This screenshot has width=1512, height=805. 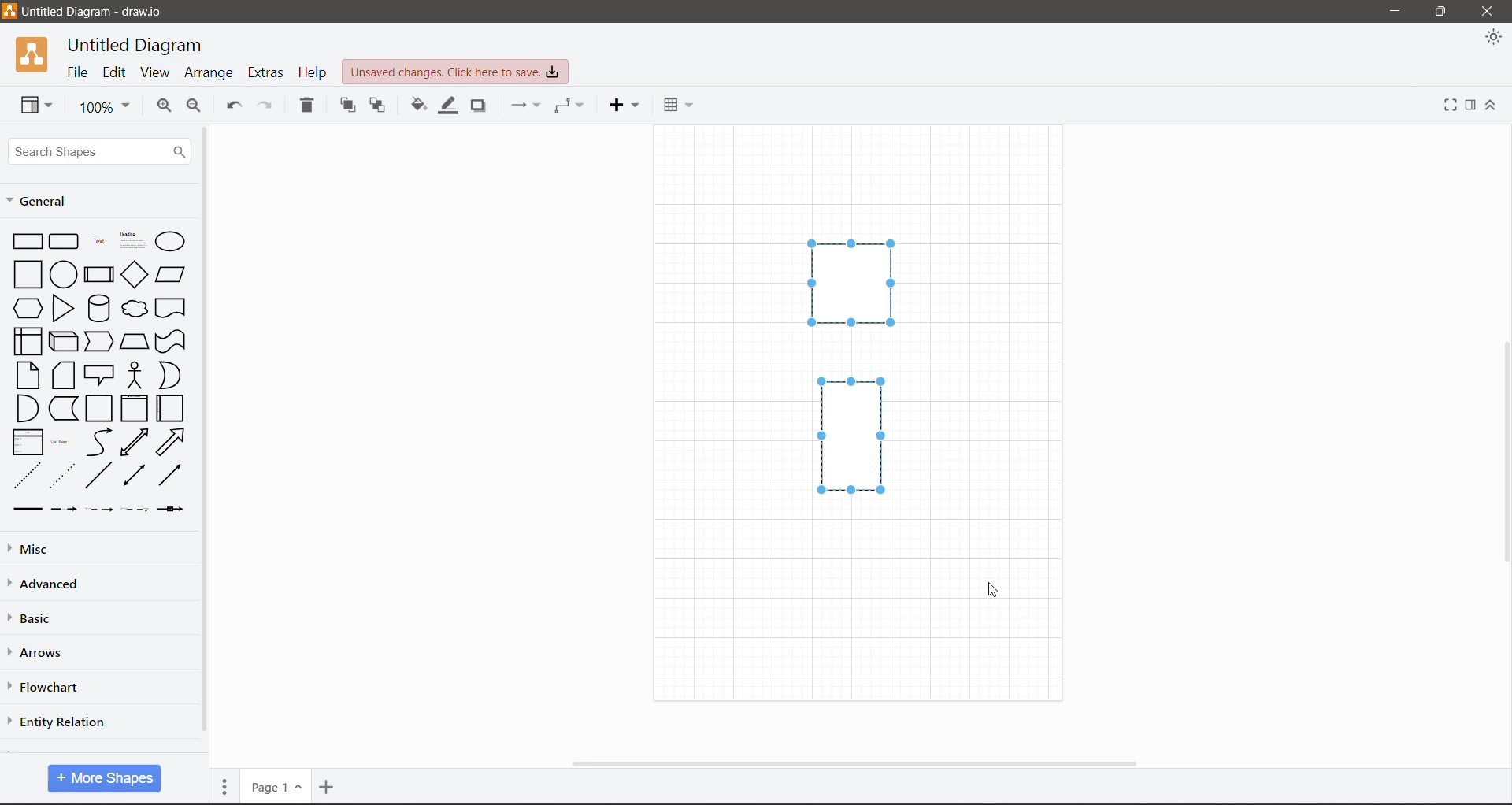 I want to click on Line Color, so click(x=447, y=107).